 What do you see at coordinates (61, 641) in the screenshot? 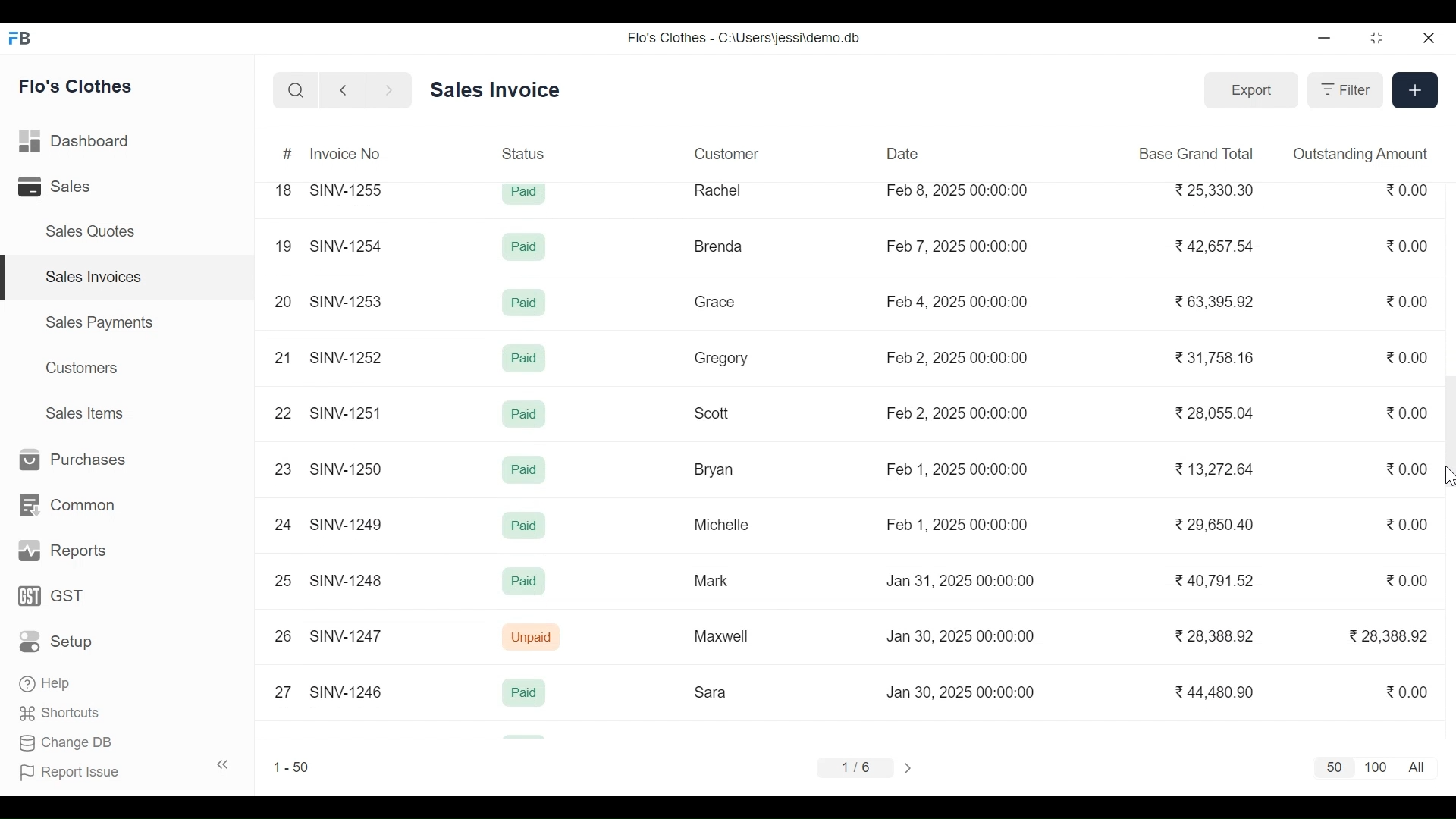
I see `Setup` at bounding box center [61, 641].